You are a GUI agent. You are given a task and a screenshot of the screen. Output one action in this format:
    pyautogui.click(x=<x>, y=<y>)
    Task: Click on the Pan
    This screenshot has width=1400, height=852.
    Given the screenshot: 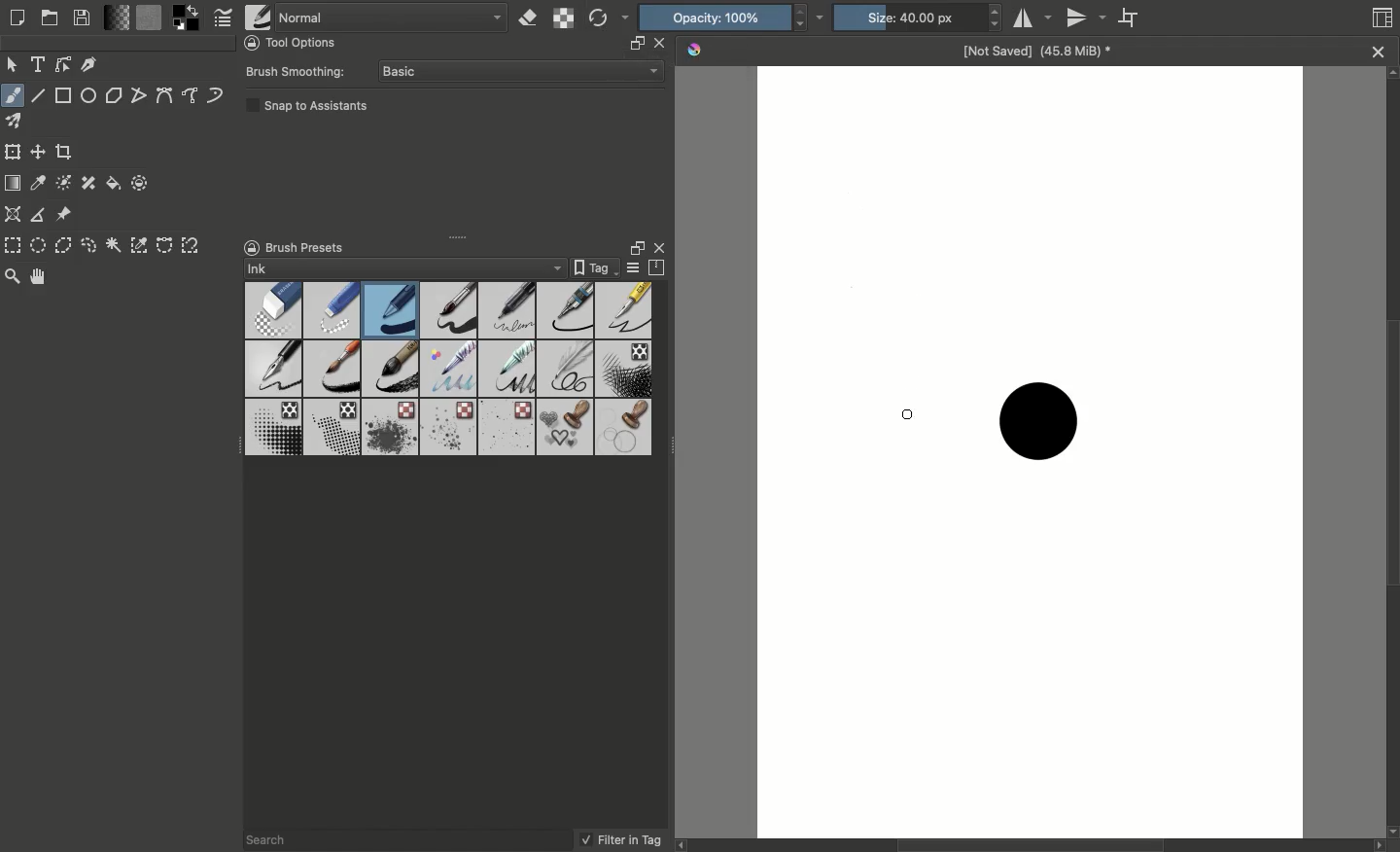 What is the action you would take?
    pyautogui.click(x=45, y=277)
    